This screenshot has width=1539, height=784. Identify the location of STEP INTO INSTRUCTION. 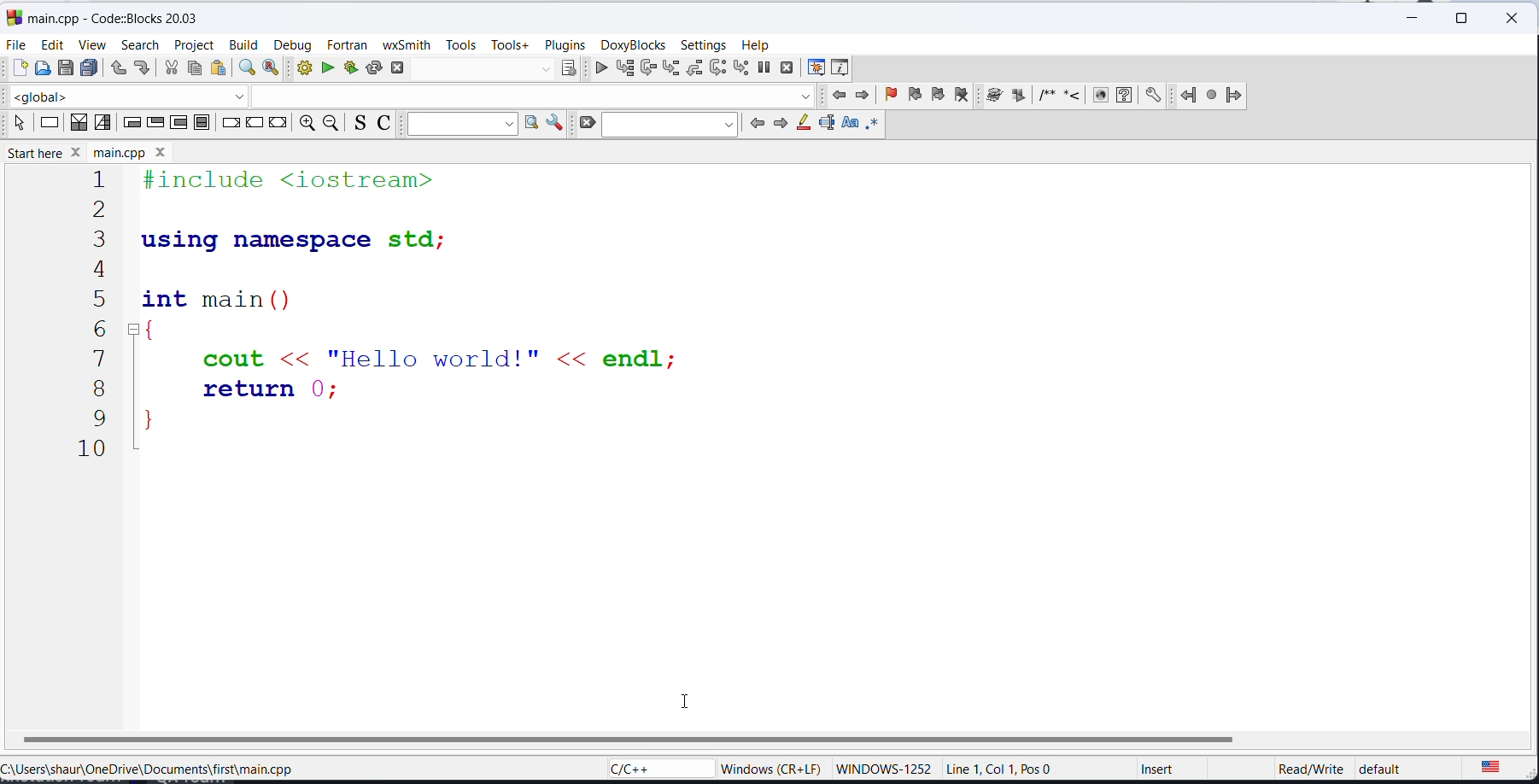
(743, 68).